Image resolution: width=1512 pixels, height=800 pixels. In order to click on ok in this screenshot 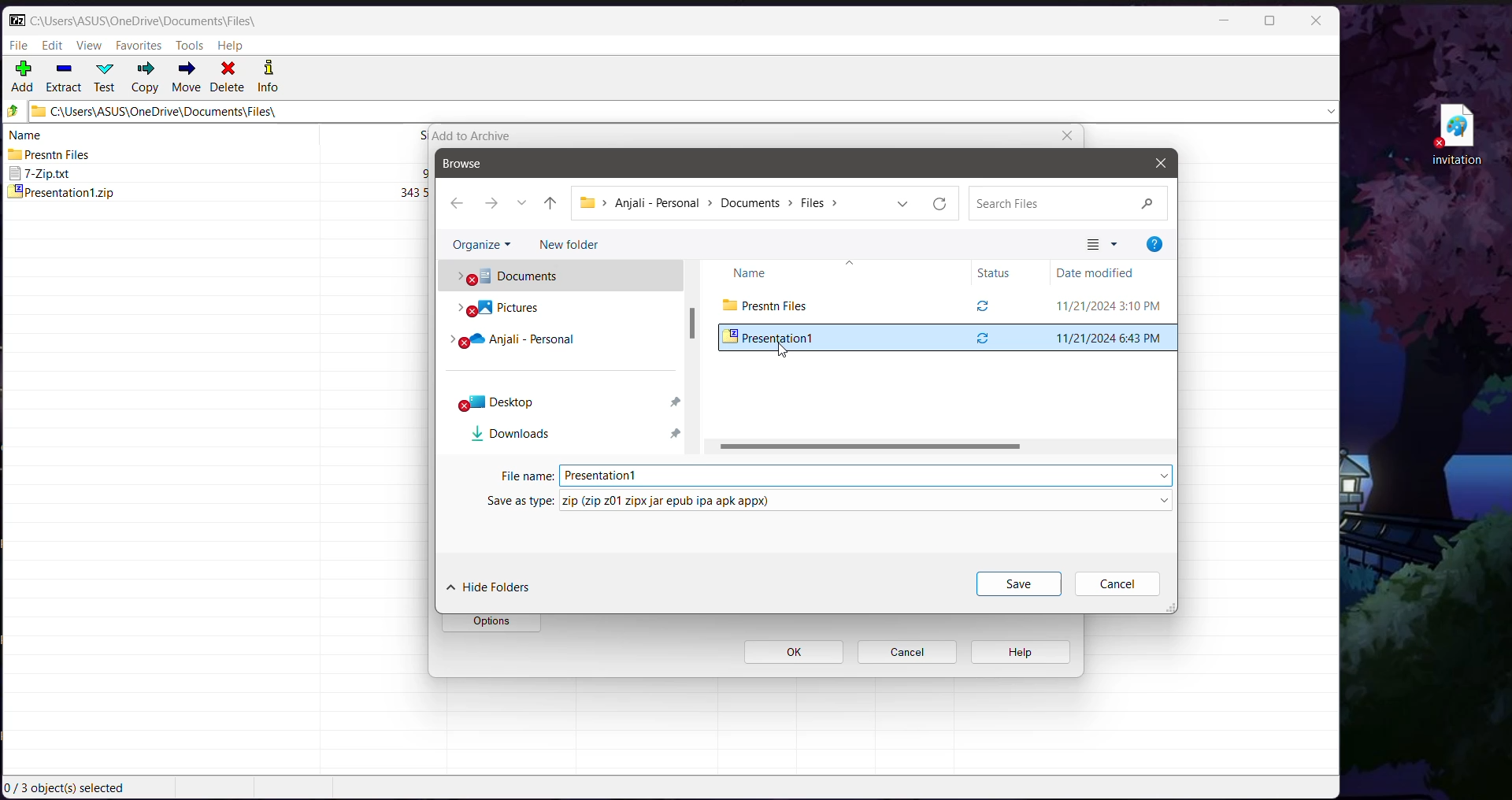, I will do `click(792, 652)`.